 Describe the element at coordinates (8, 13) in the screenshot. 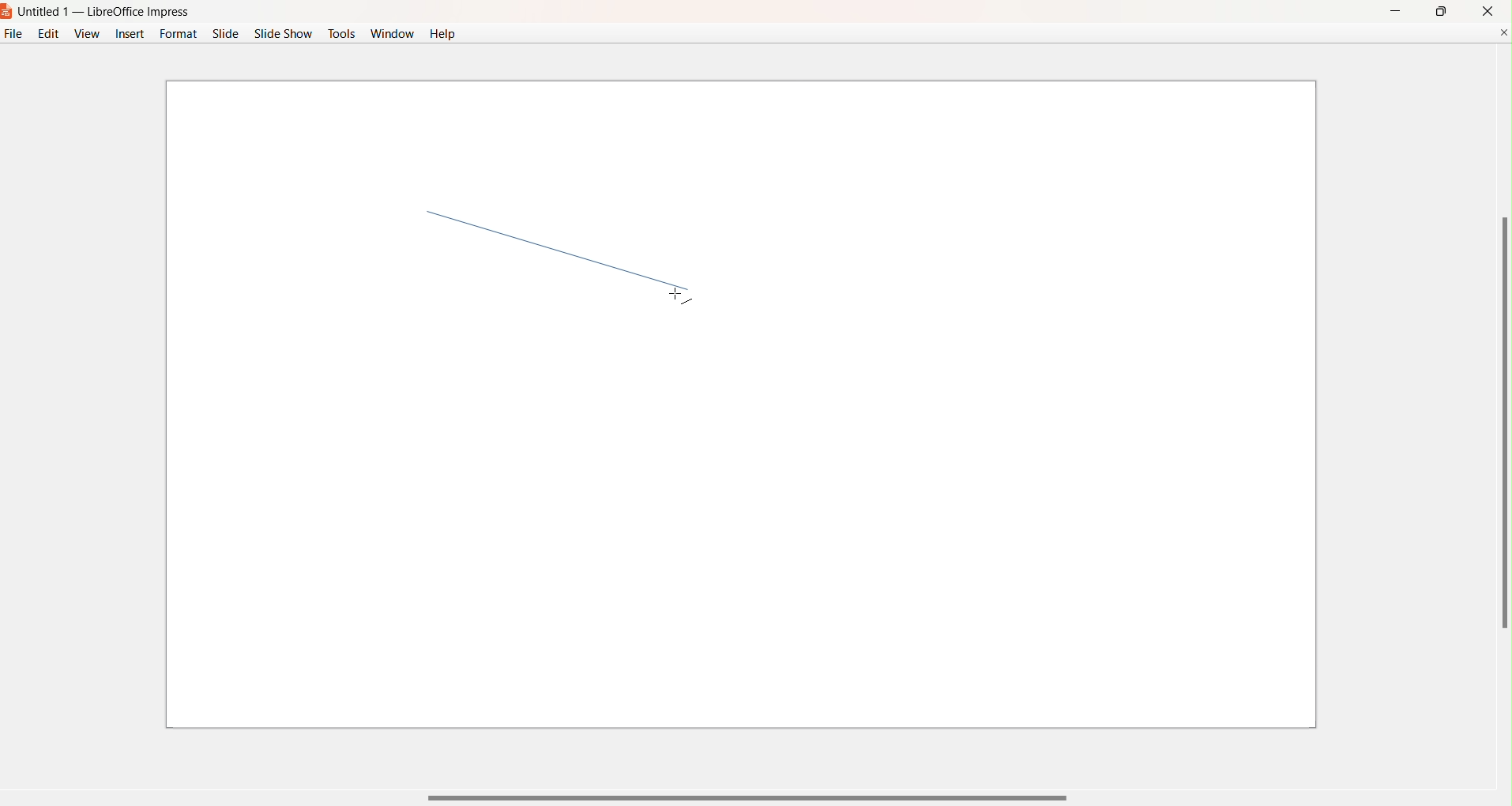

I see `Logo` at that location.